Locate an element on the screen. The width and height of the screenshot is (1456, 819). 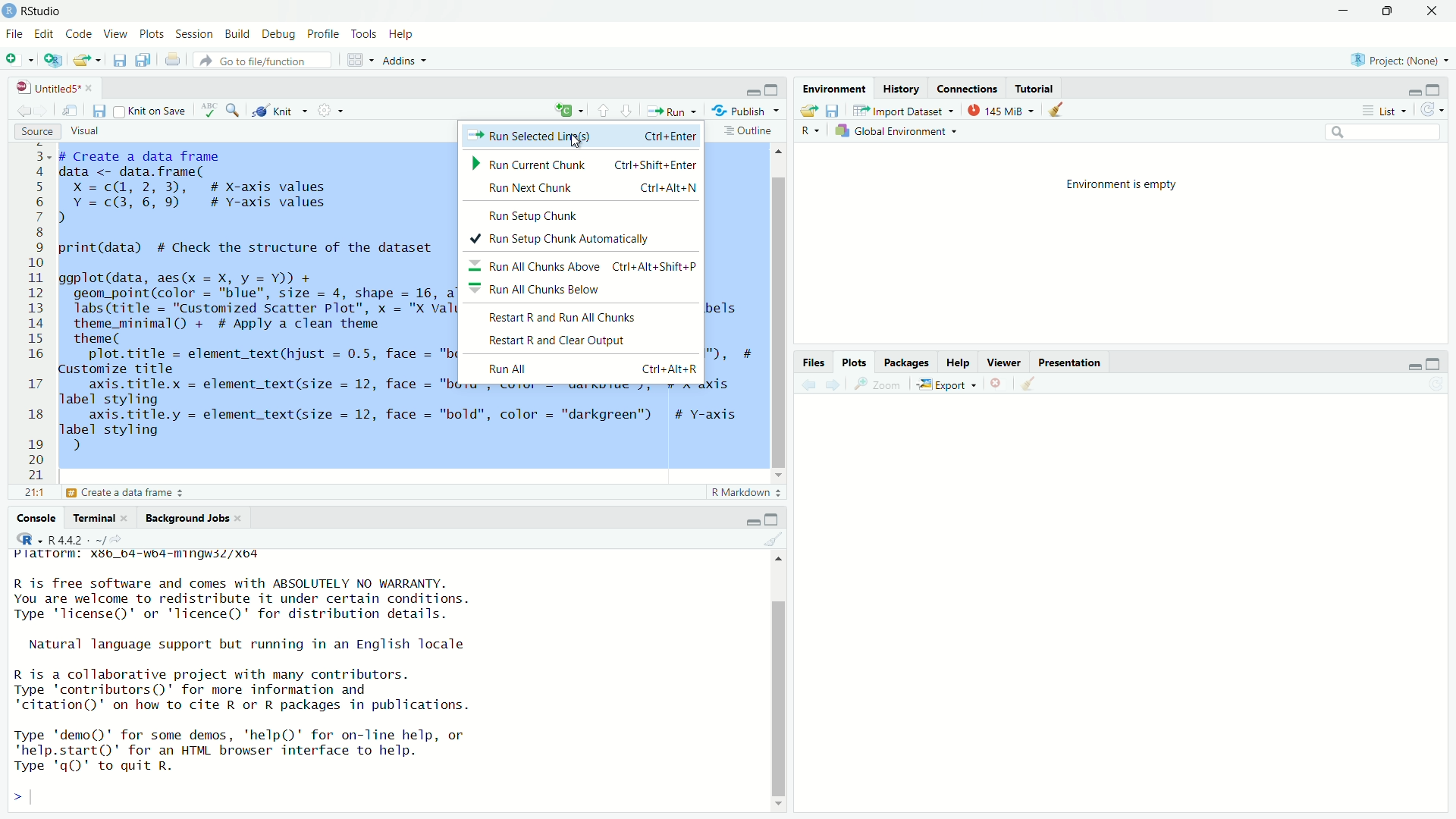
145Mb used by the R session is located at coordinates (1005, 111).